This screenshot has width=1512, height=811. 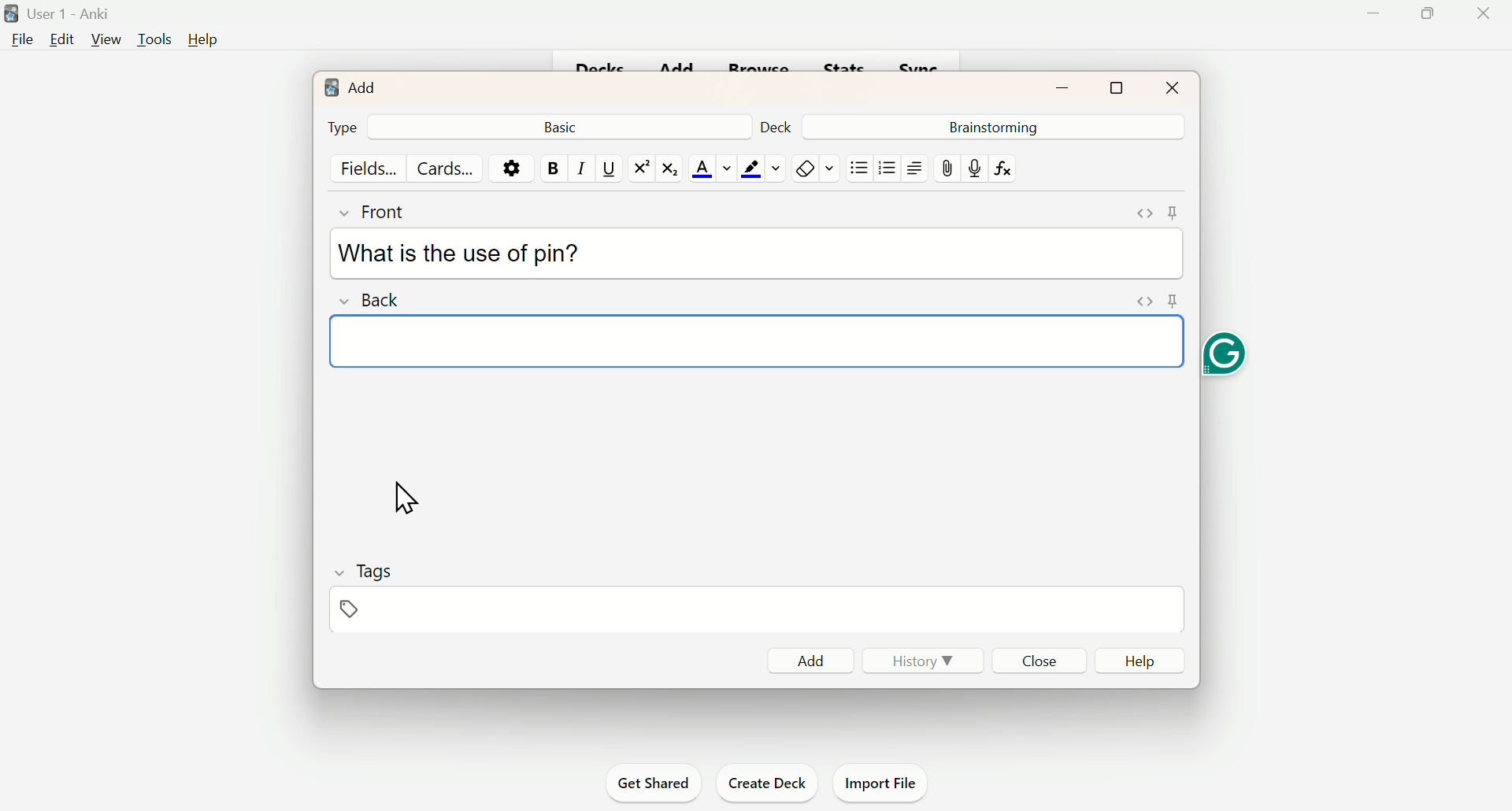 I want to click on Grammarly, so click(x=1223, y=357).